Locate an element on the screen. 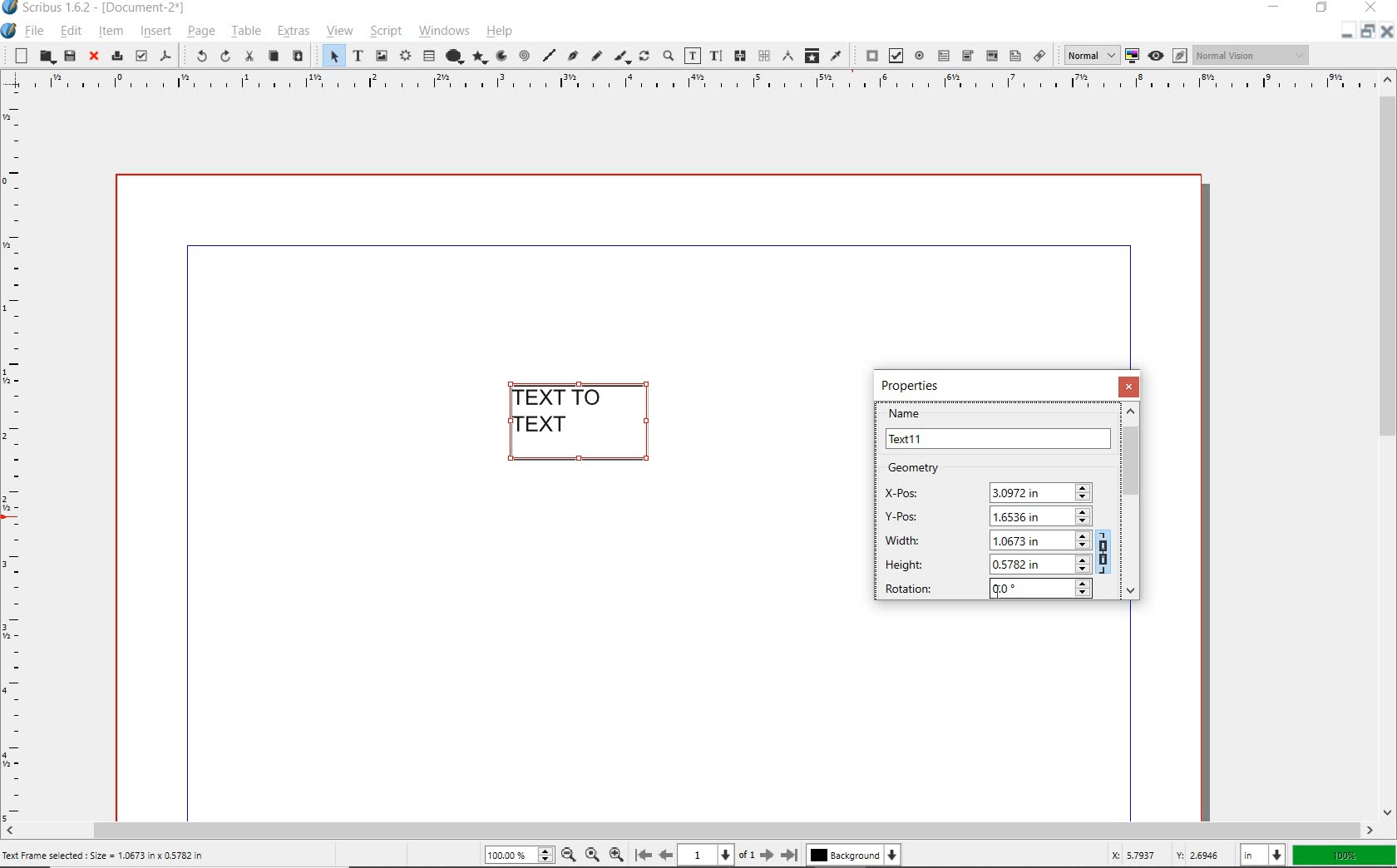 Image resolution: width=1397 pixels, height=868 pixels. CLOSE is located at coordinates (1131, 387).